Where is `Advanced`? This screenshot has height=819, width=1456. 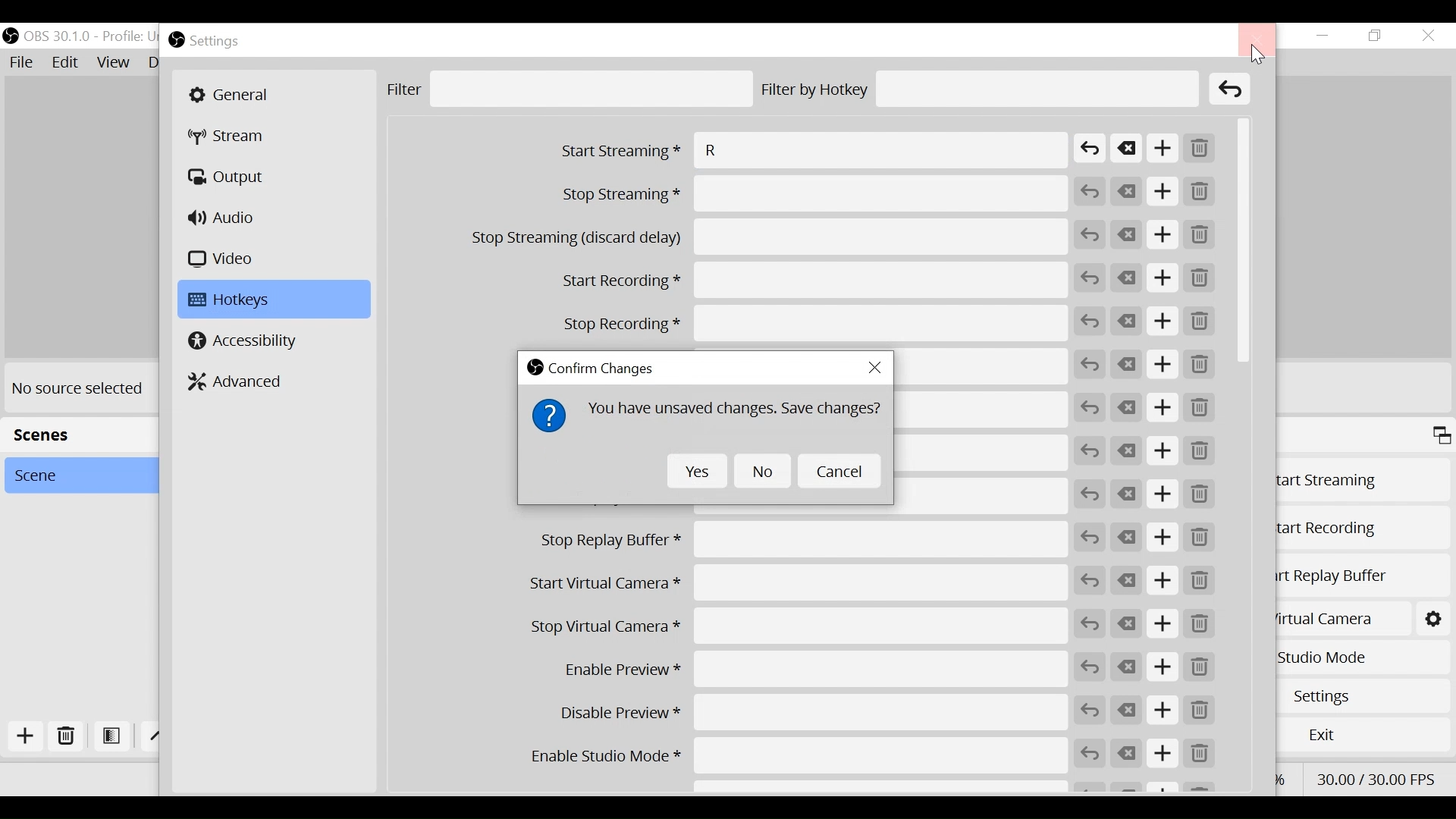
Advanced is located at coordinates (242, 380).